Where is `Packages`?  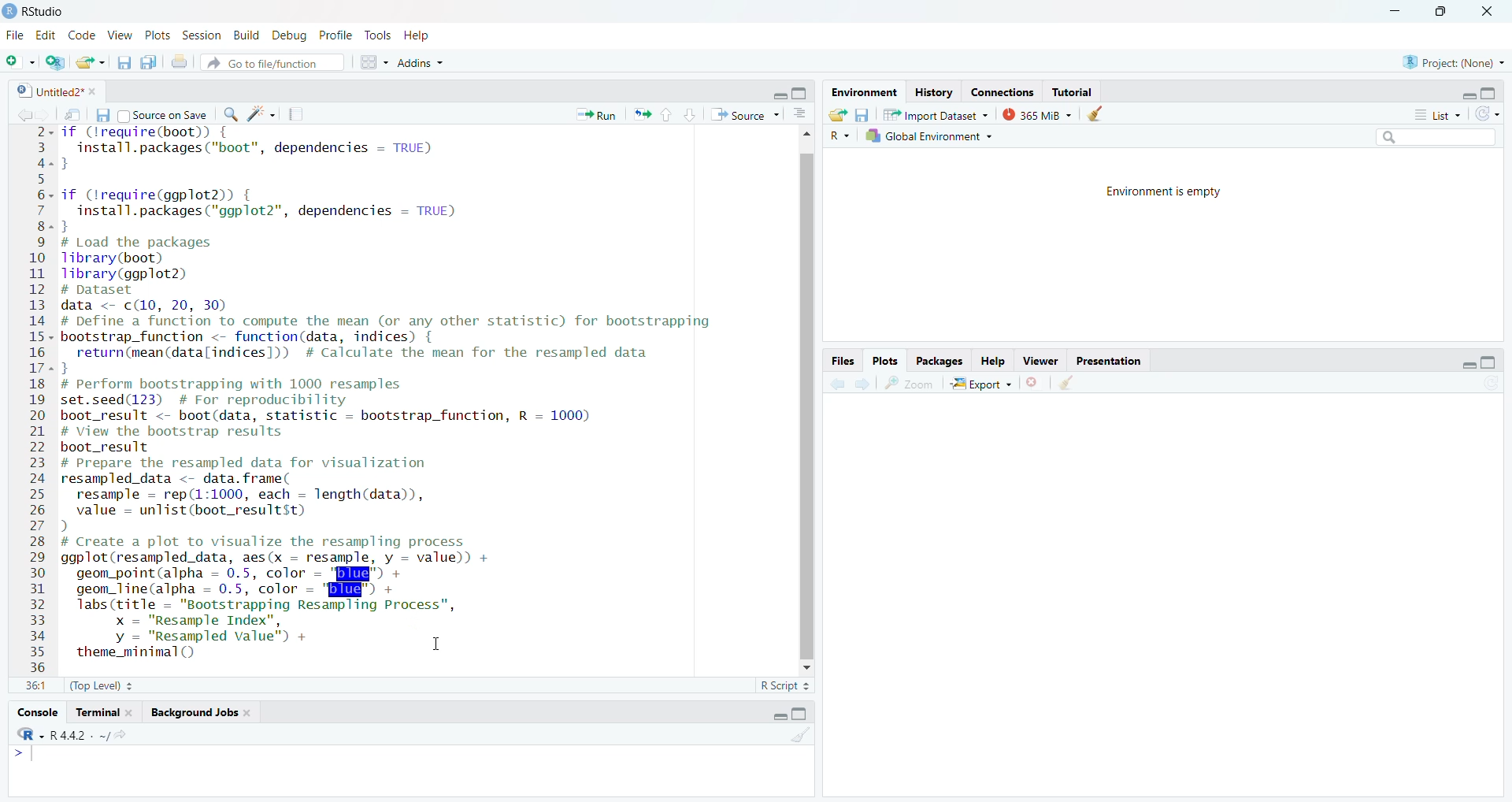
Packages is located at coordinates (939, 359).